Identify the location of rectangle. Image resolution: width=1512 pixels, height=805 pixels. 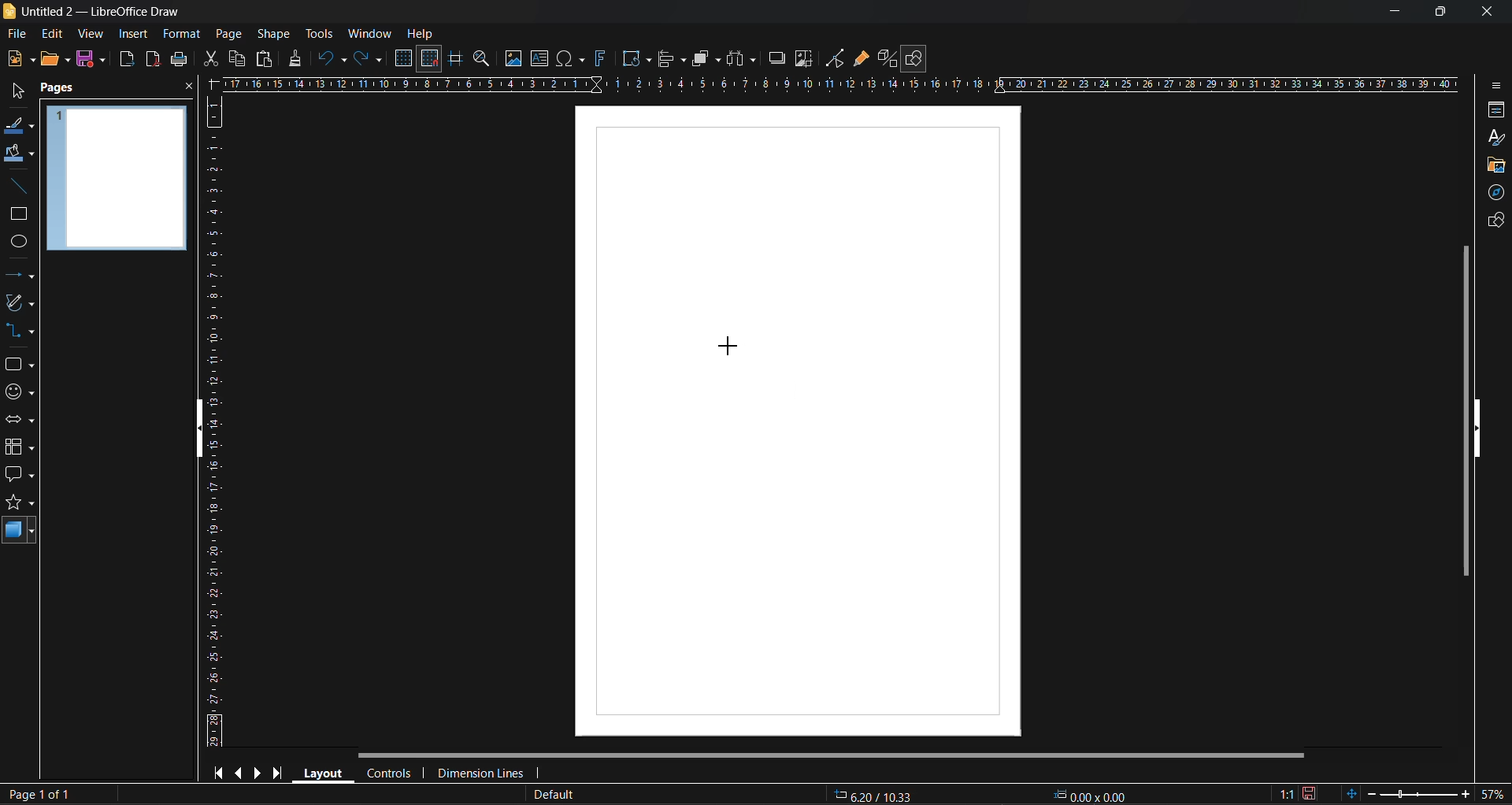
(19, 215).